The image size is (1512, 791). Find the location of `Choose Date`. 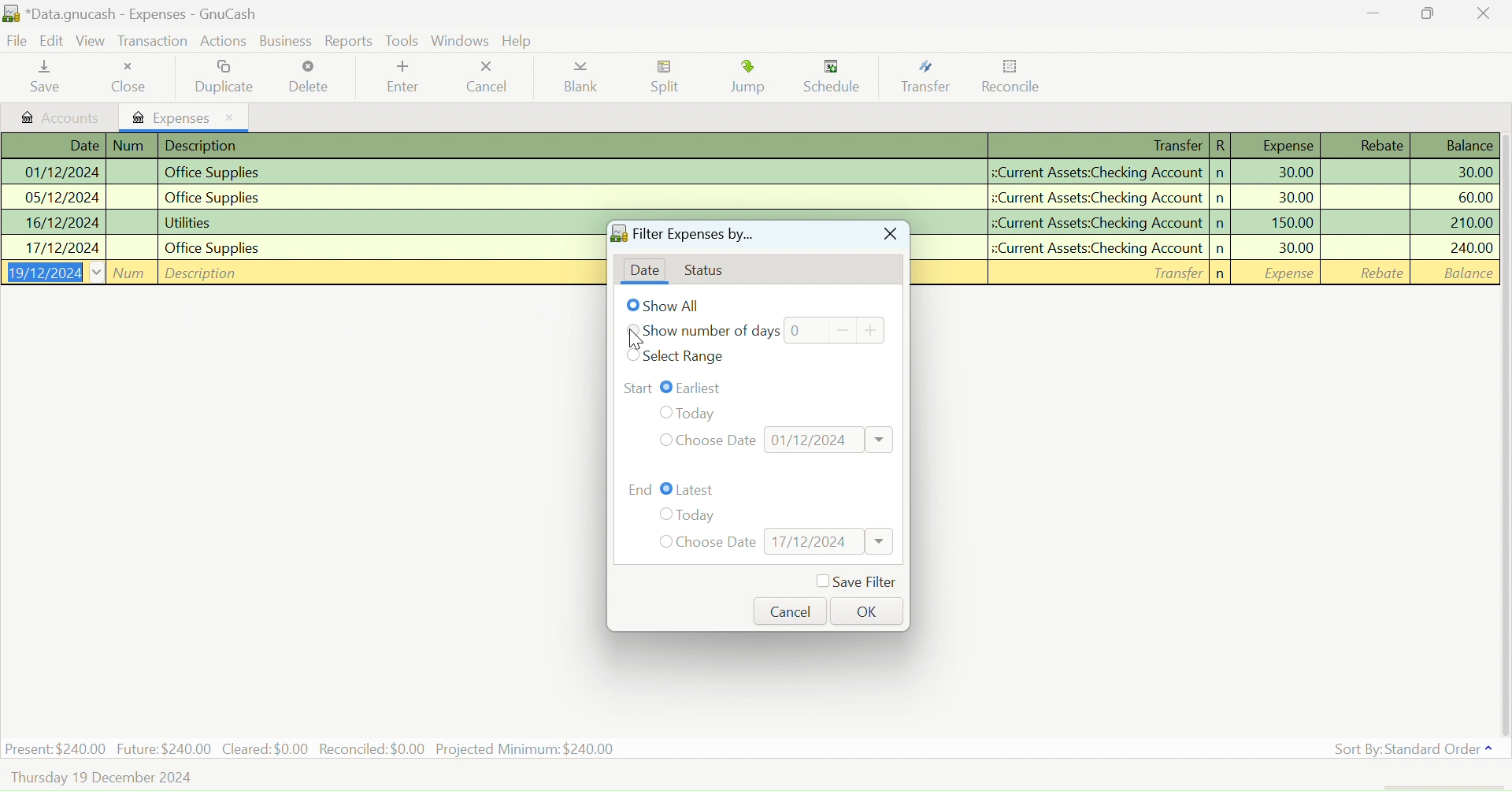

Choose Date is located at coordinates (717, 543).